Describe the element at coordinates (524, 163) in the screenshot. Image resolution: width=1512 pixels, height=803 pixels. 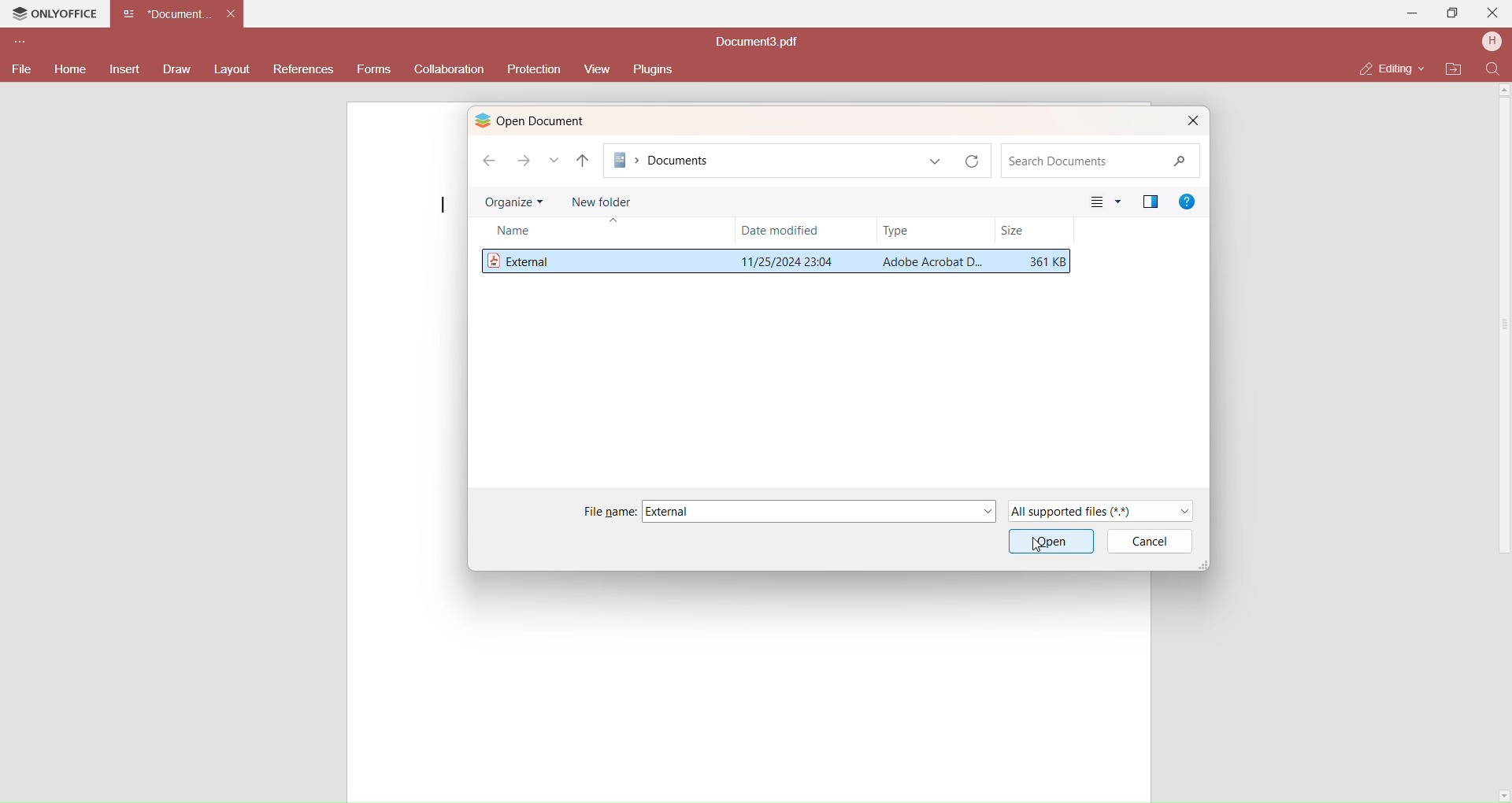
I see `forward` at that location.